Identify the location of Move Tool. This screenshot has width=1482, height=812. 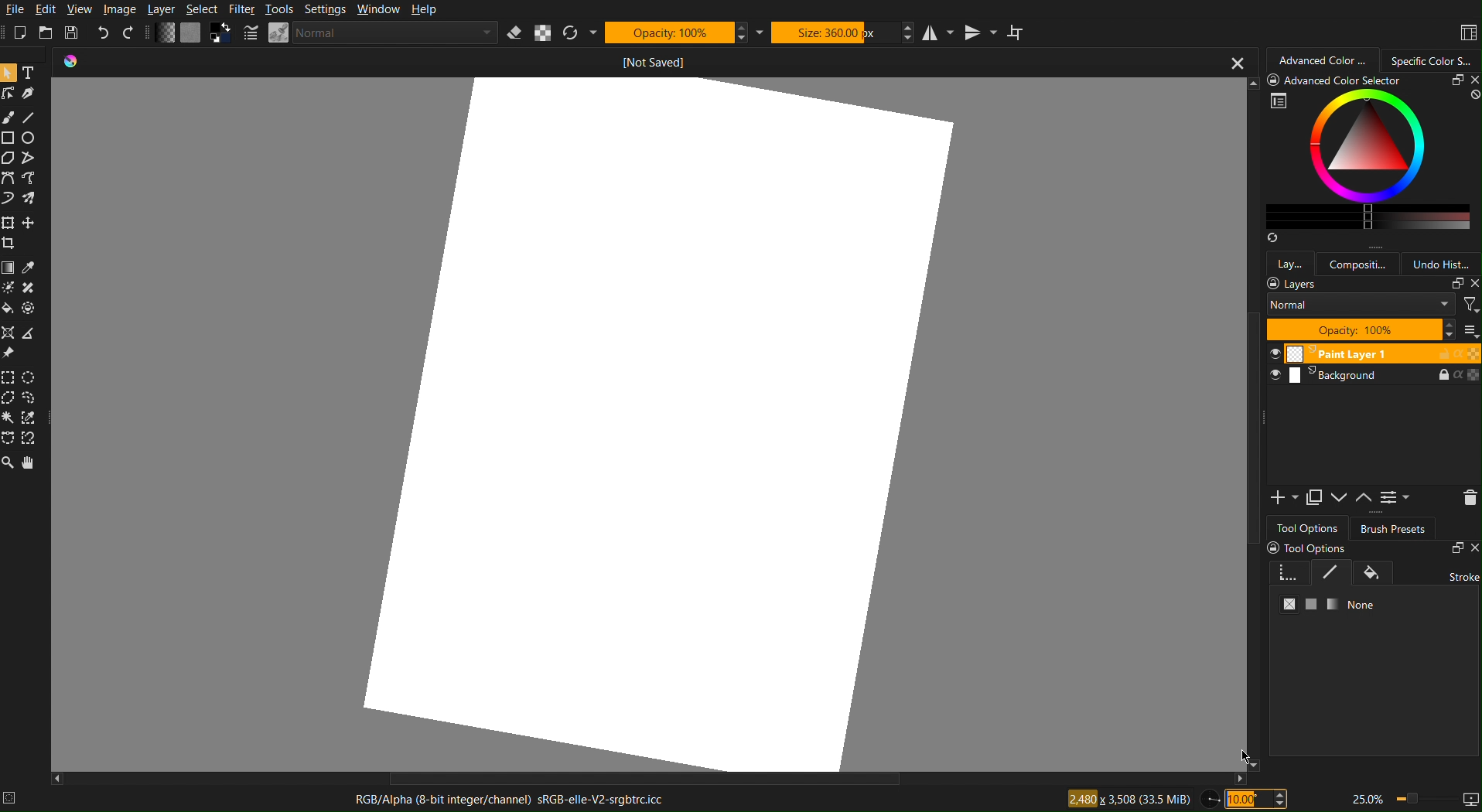
(28, 223).